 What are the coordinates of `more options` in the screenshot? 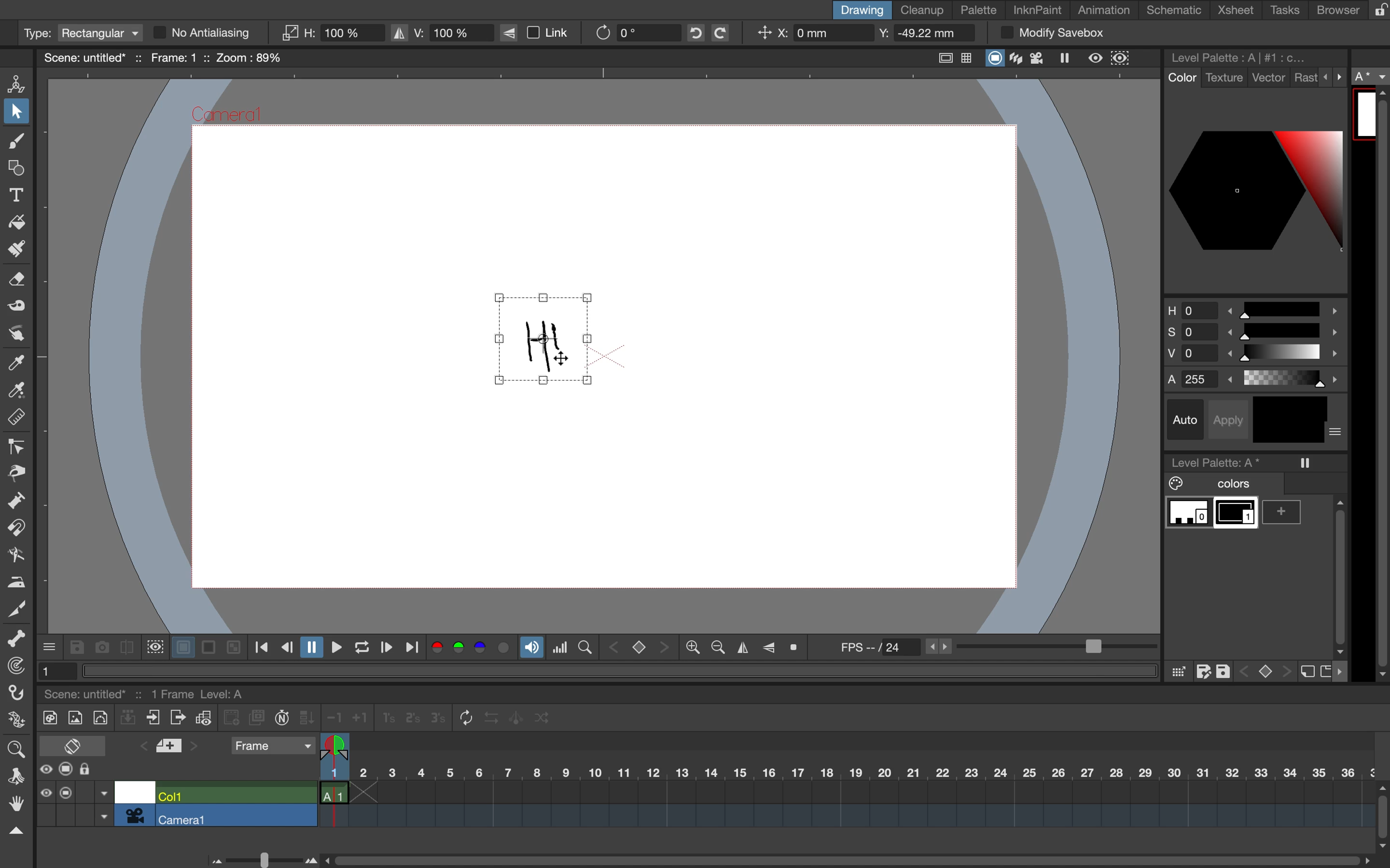 It's located at (1344, 672).